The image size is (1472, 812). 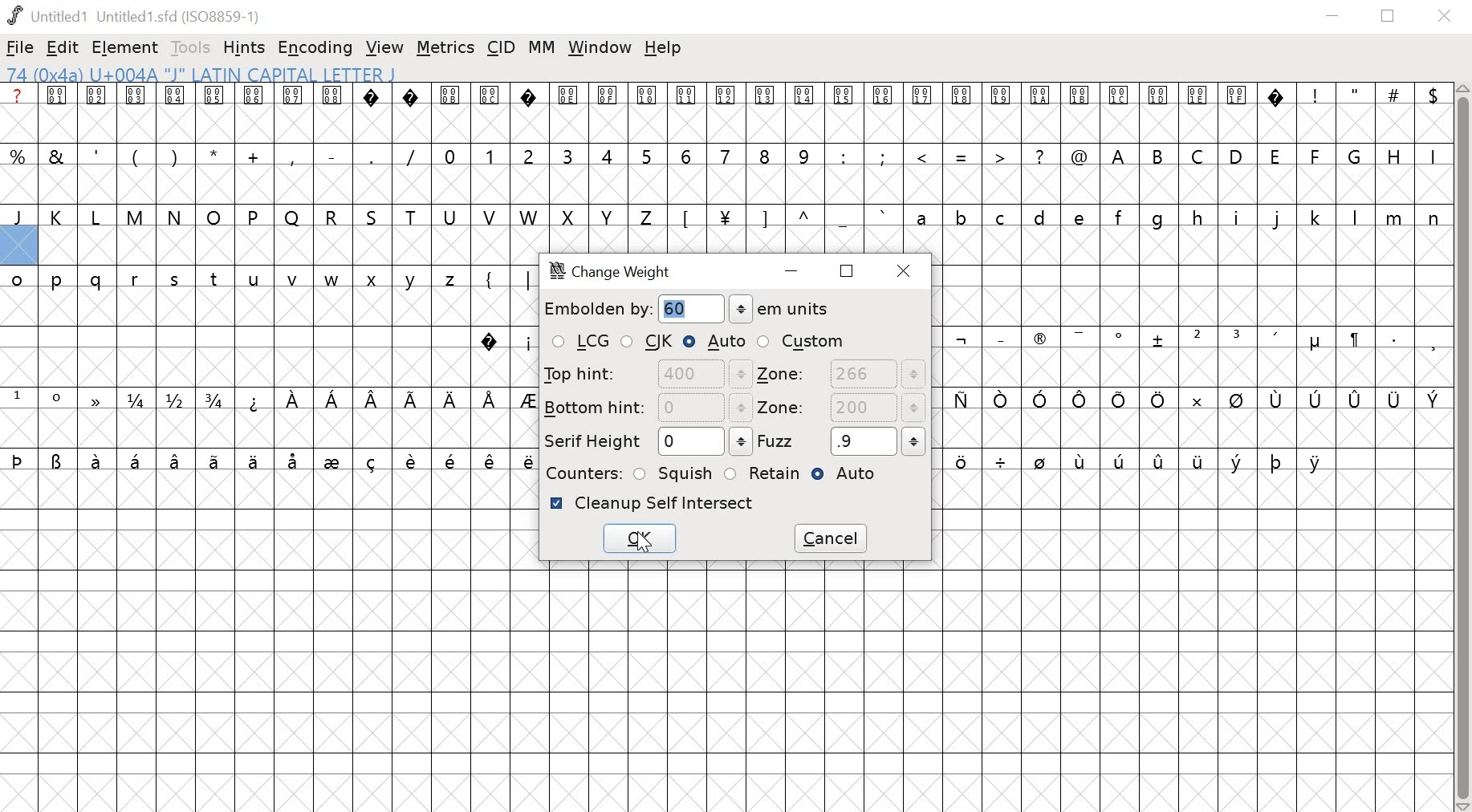 I want to click on FUZZ, so click(x=842, y=441).